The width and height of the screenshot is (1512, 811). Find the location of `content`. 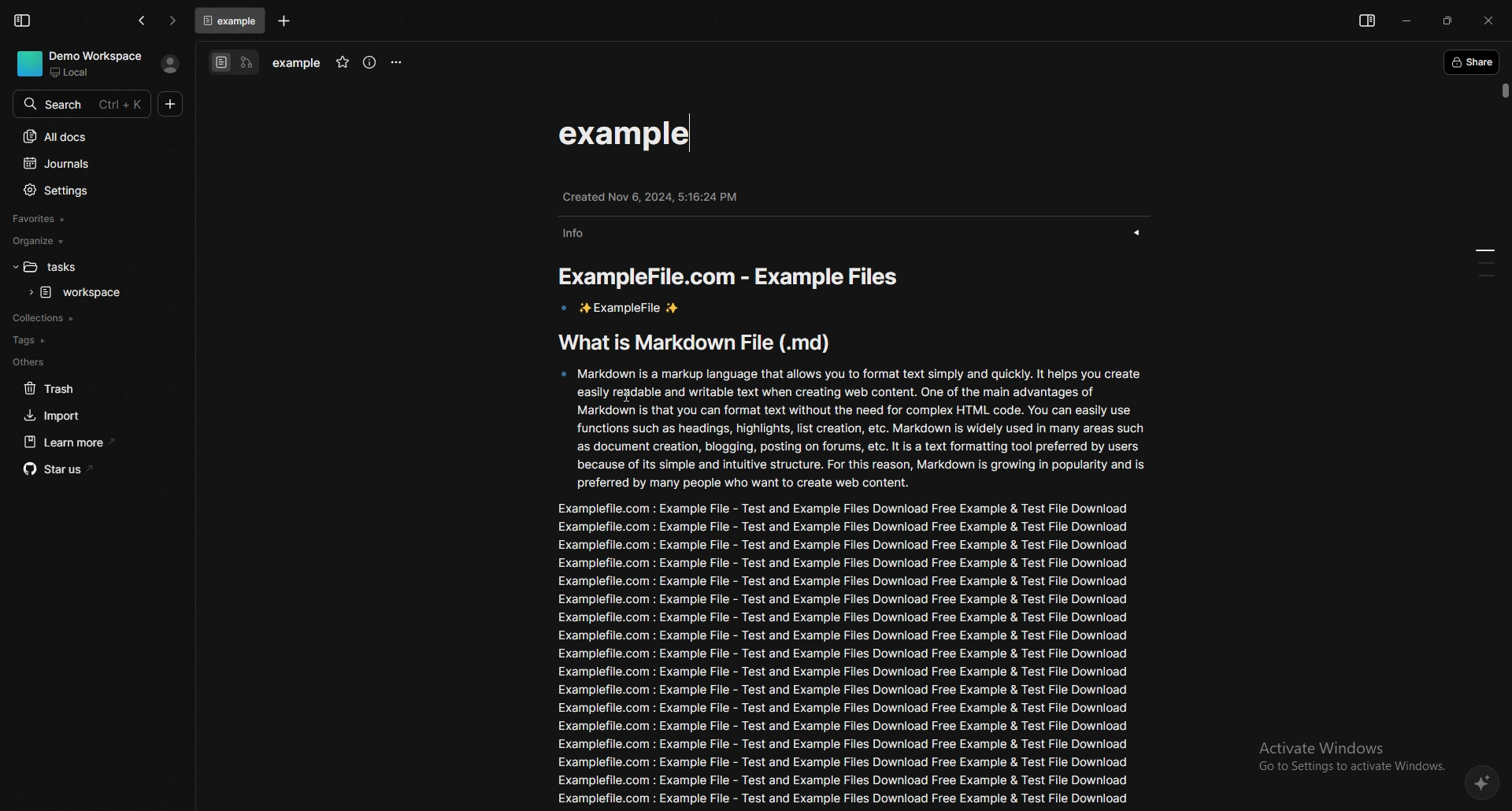

content is located at coordinates (851, 275).